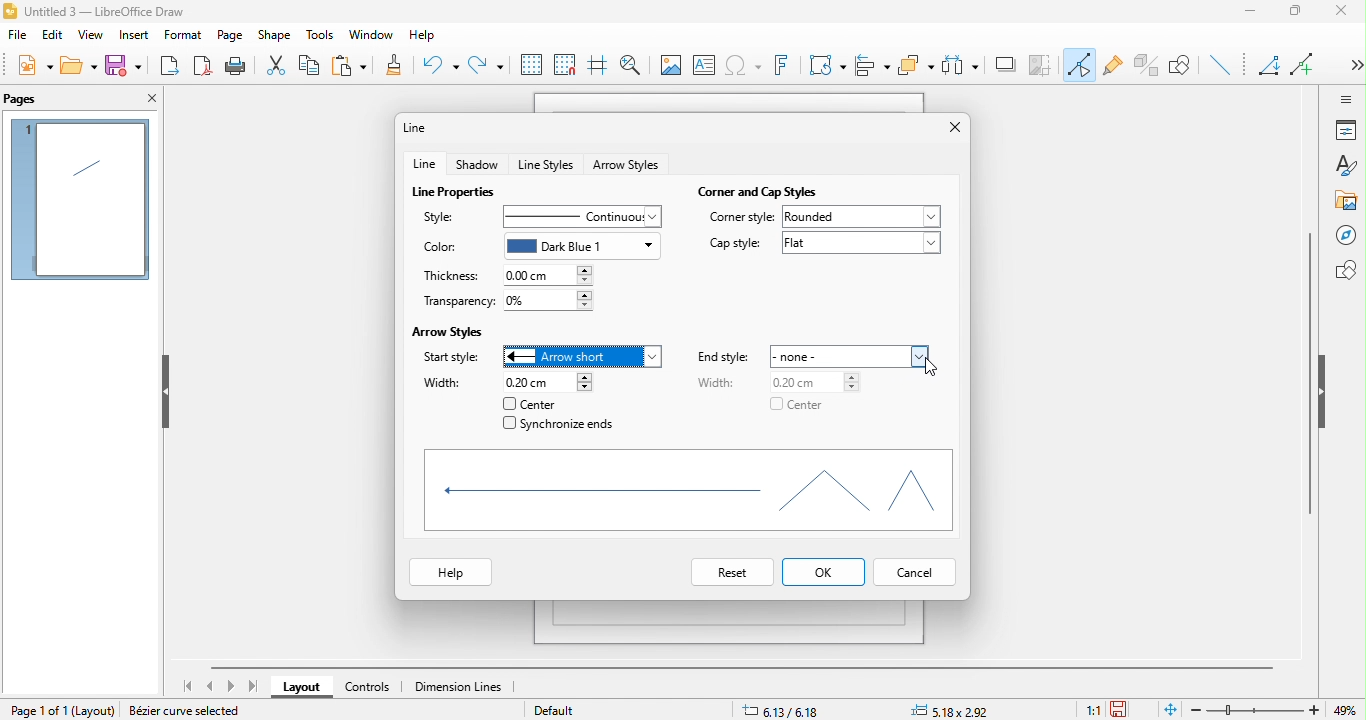  I want to click on layout, so click(301, 689).